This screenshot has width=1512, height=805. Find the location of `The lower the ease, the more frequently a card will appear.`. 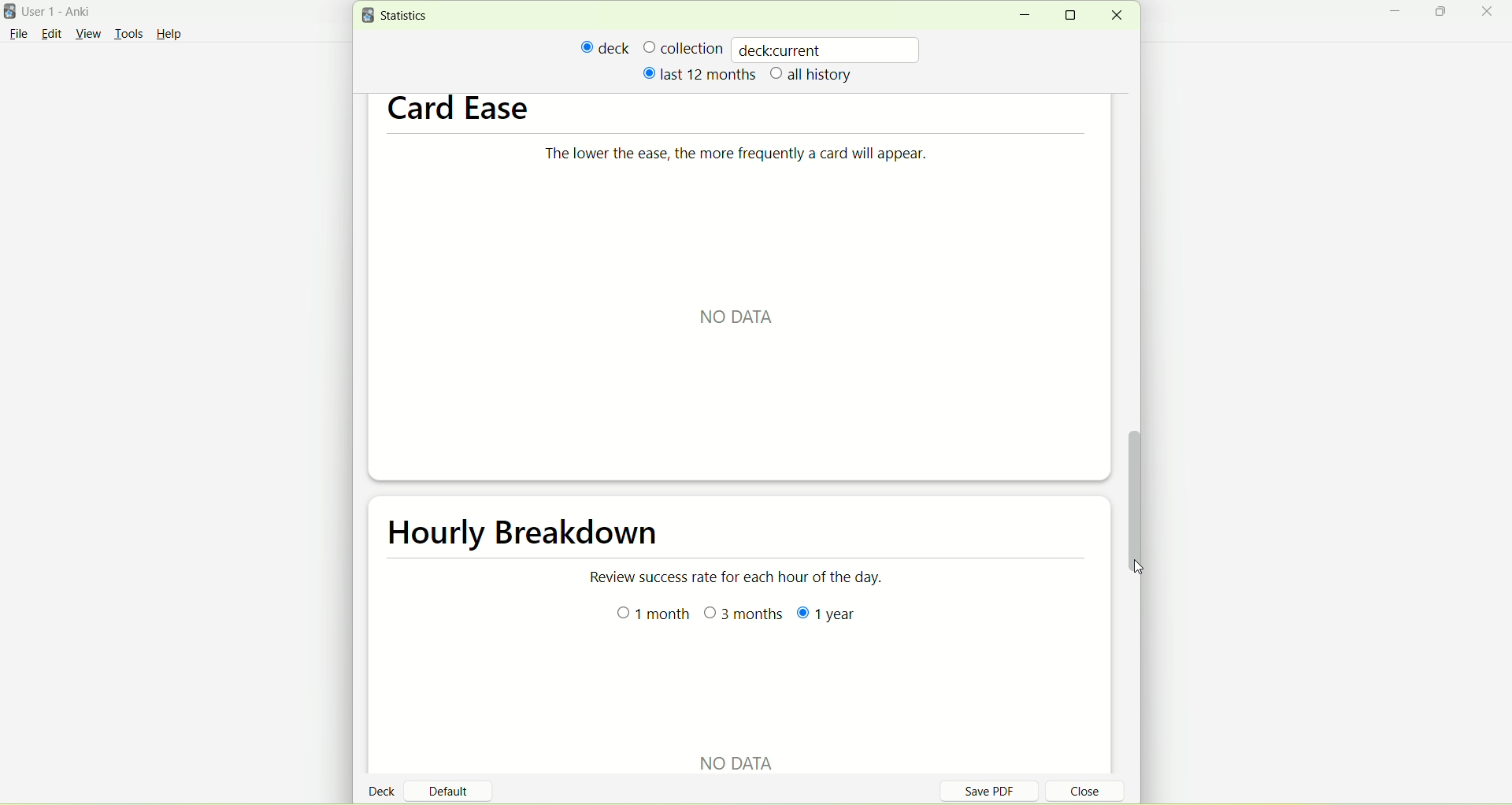

The lower the ease, the more frequently a card will appear. is located at coordinates (763, 158).